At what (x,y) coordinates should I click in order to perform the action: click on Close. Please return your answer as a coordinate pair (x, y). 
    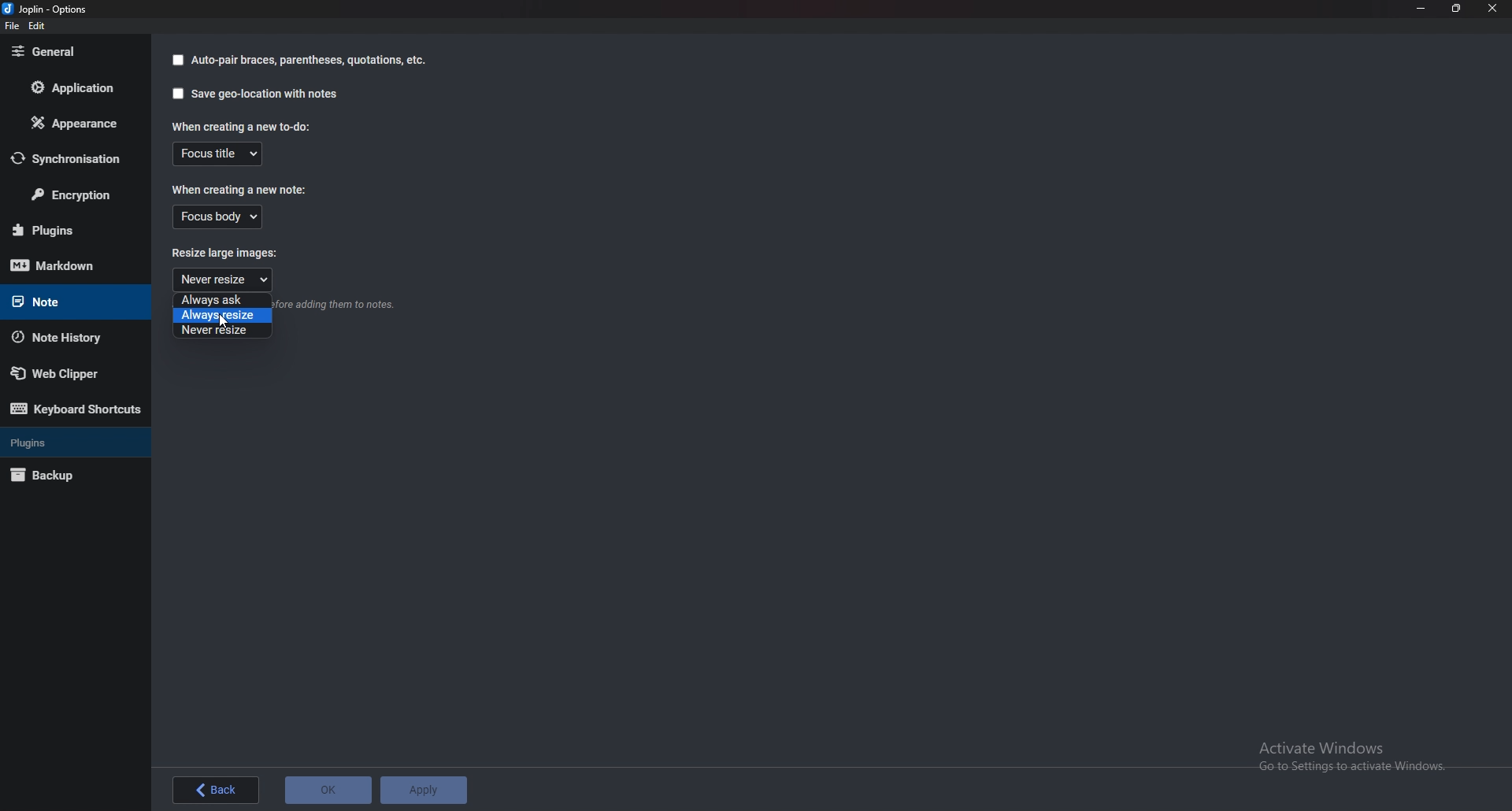
    Looking at the image, I should click on (1492, 9).